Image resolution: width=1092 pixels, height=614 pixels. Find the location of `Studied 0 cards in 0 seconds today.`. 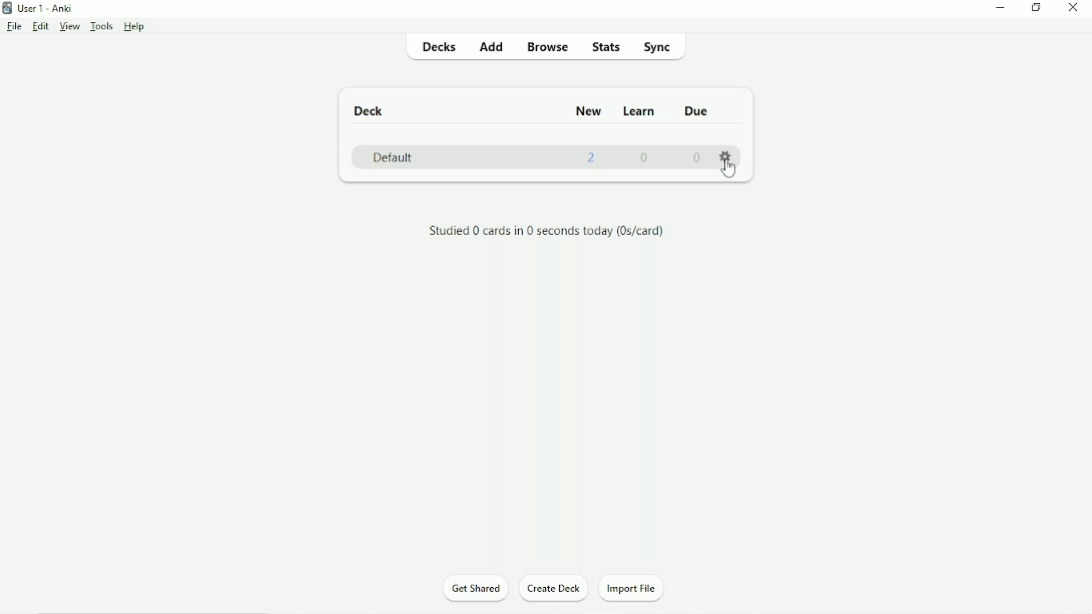

Studied 0 cards in 0 seconds today. is located at coordinates (545, 232).